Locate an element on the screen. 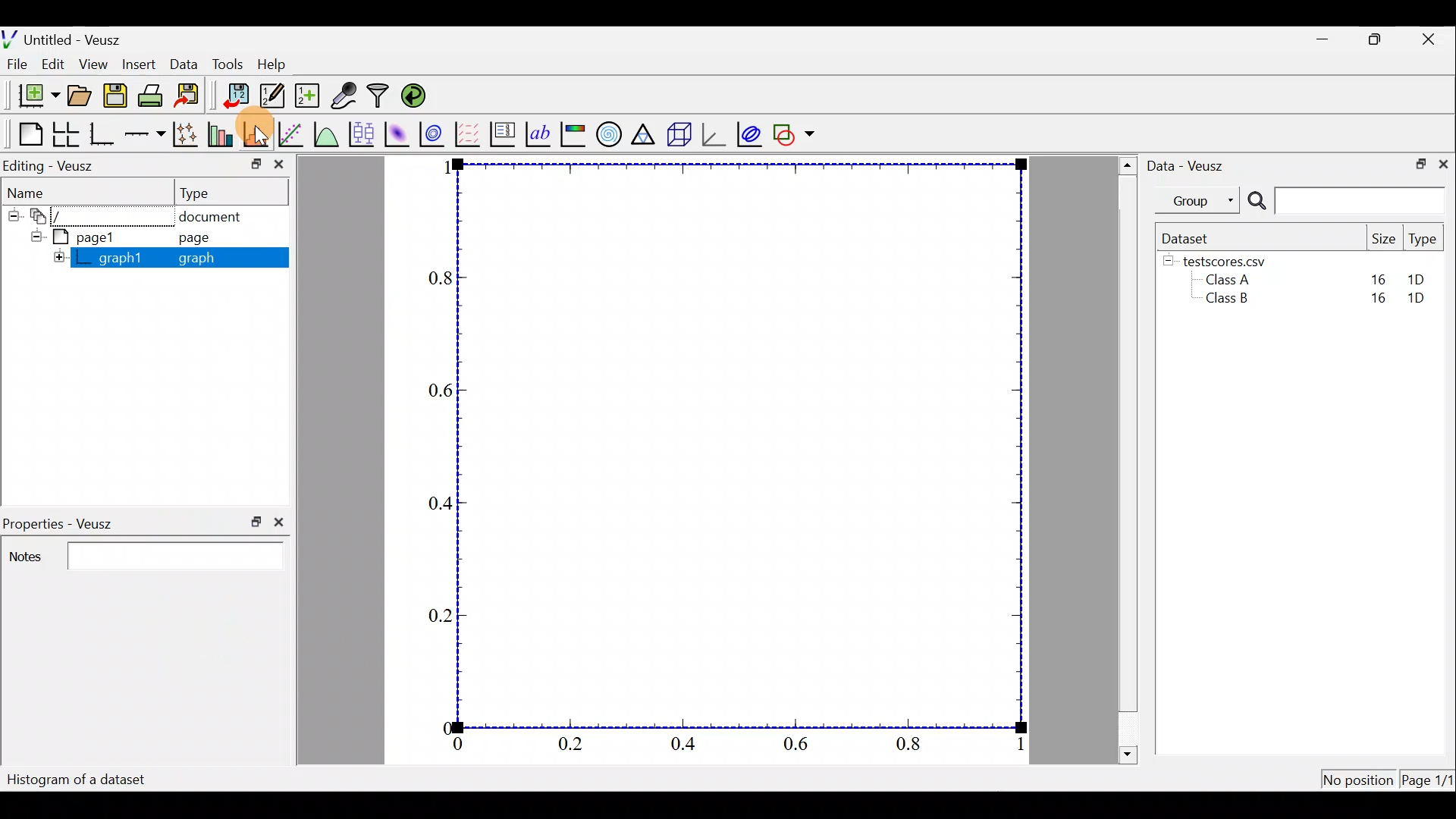 The image size is (1456, 819). Edit and enter new datasets is located at coordinates (269, 96).